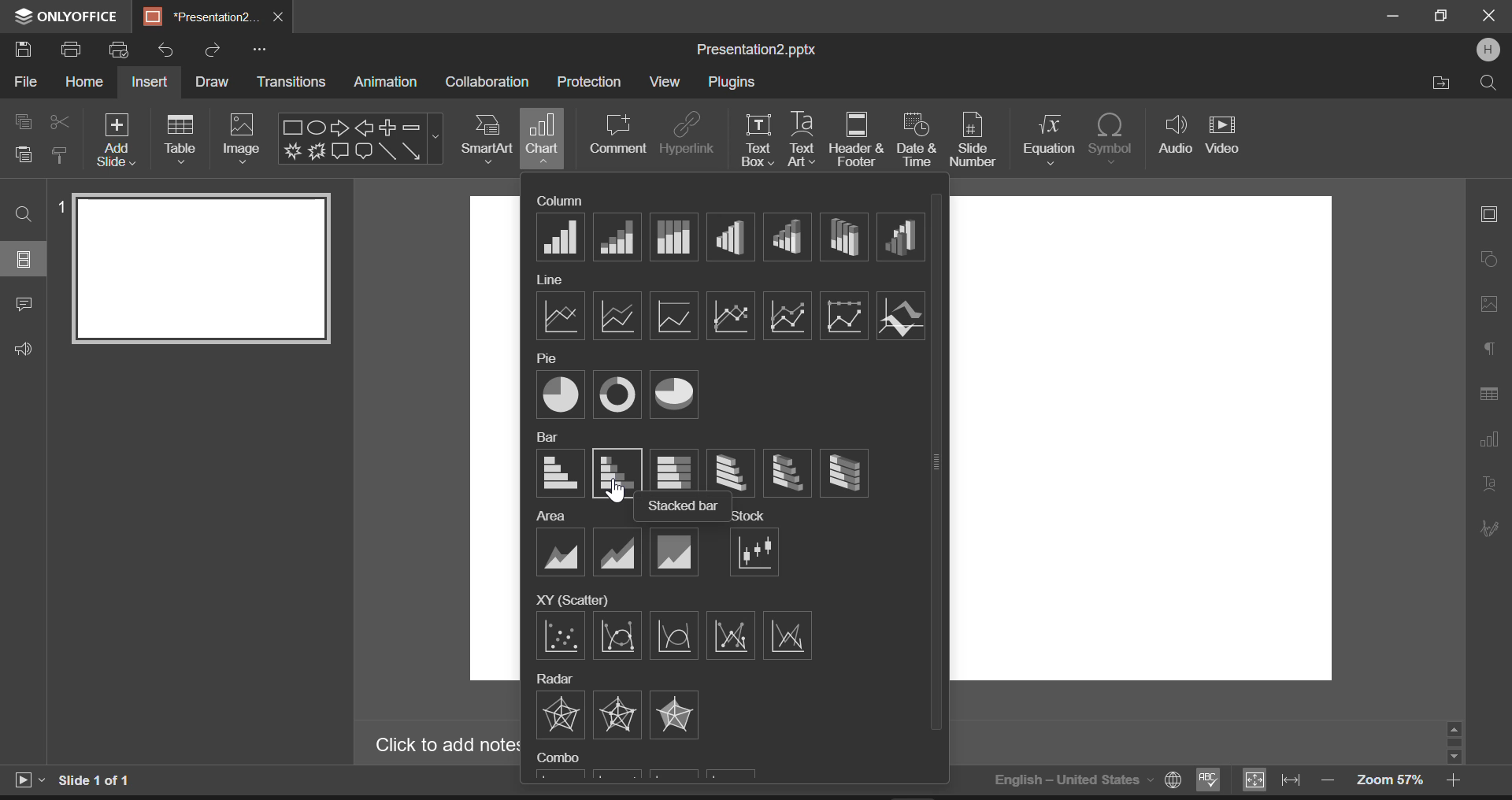  I want to click on Shape Settings, so click(1488, 257).